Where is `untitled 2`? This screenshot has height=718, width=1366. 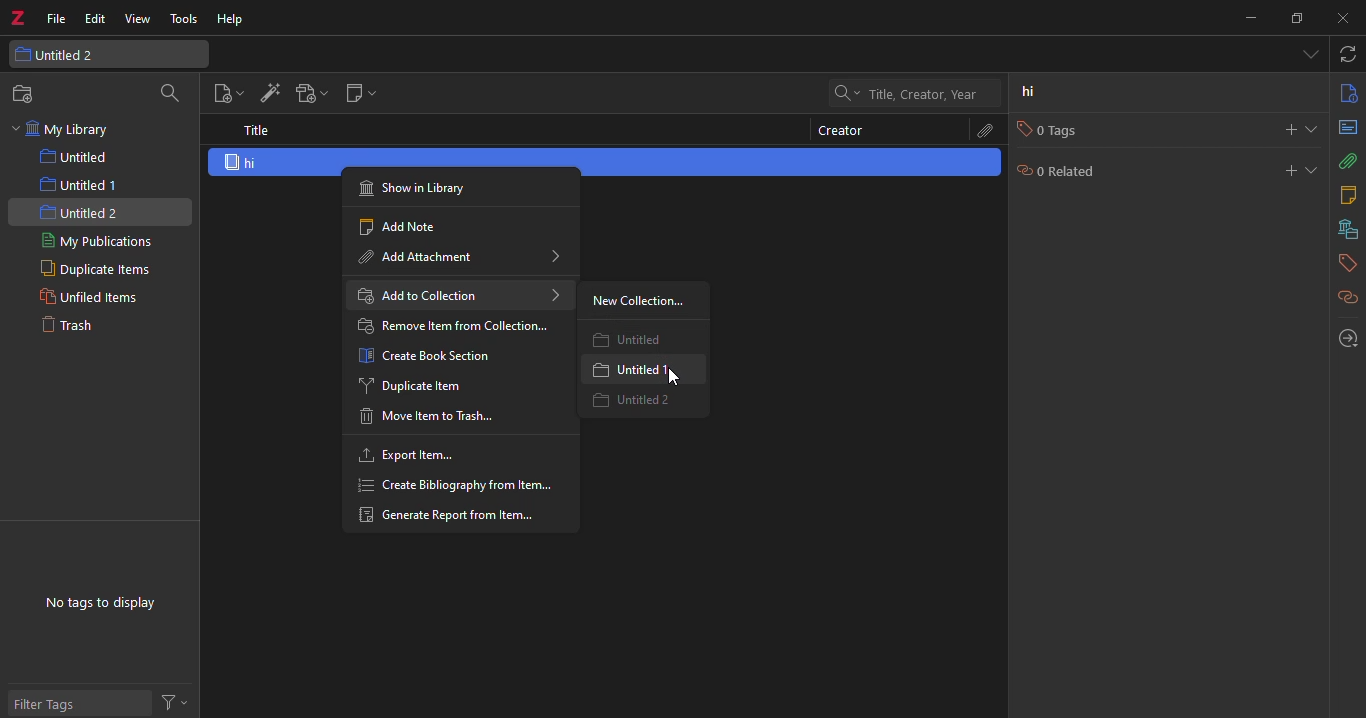 untitled 2 is located at coordinates (87, 210).